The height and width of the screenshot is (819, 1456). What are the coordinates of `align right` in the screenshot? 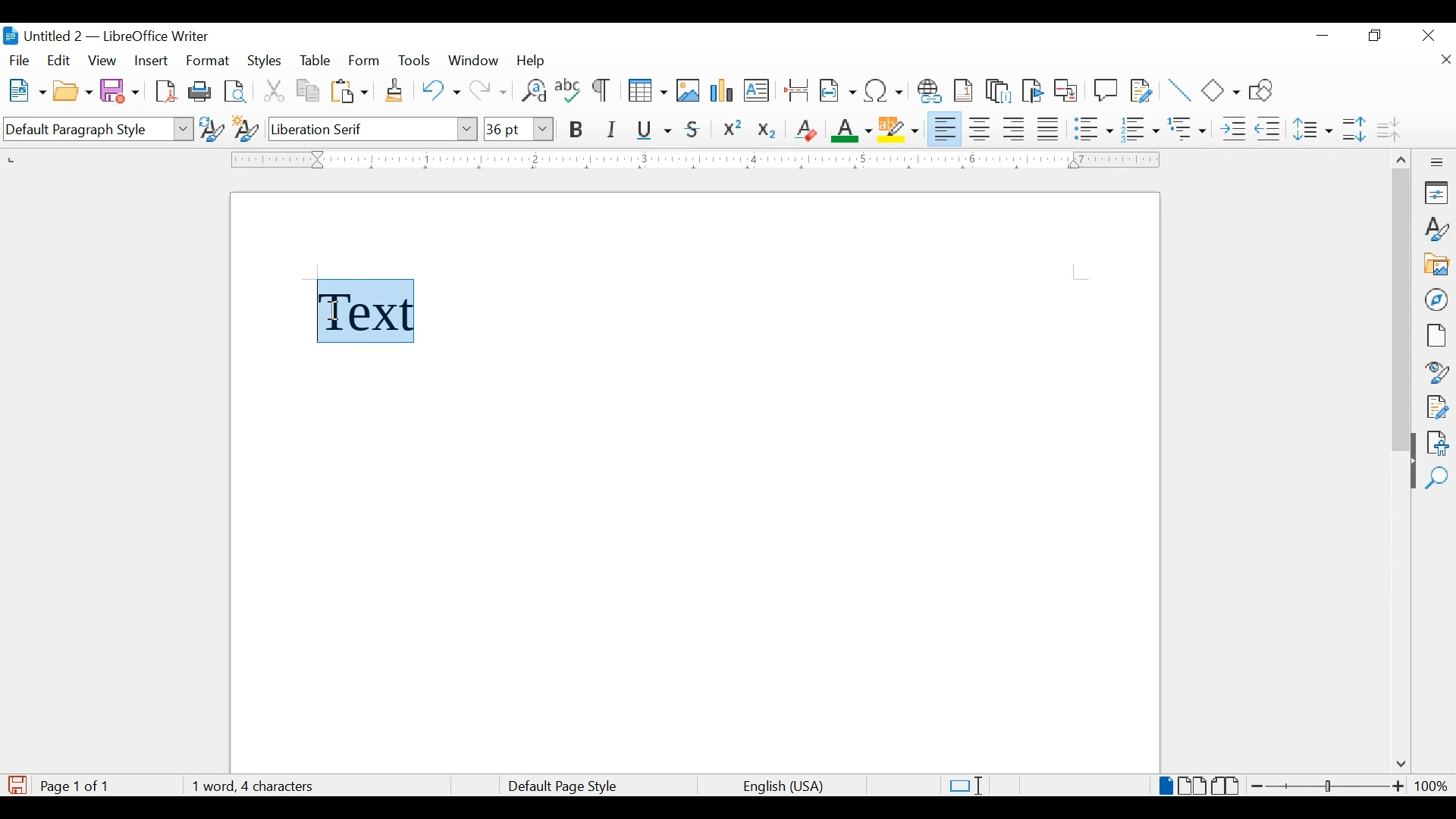 It's located at (1015, 129).